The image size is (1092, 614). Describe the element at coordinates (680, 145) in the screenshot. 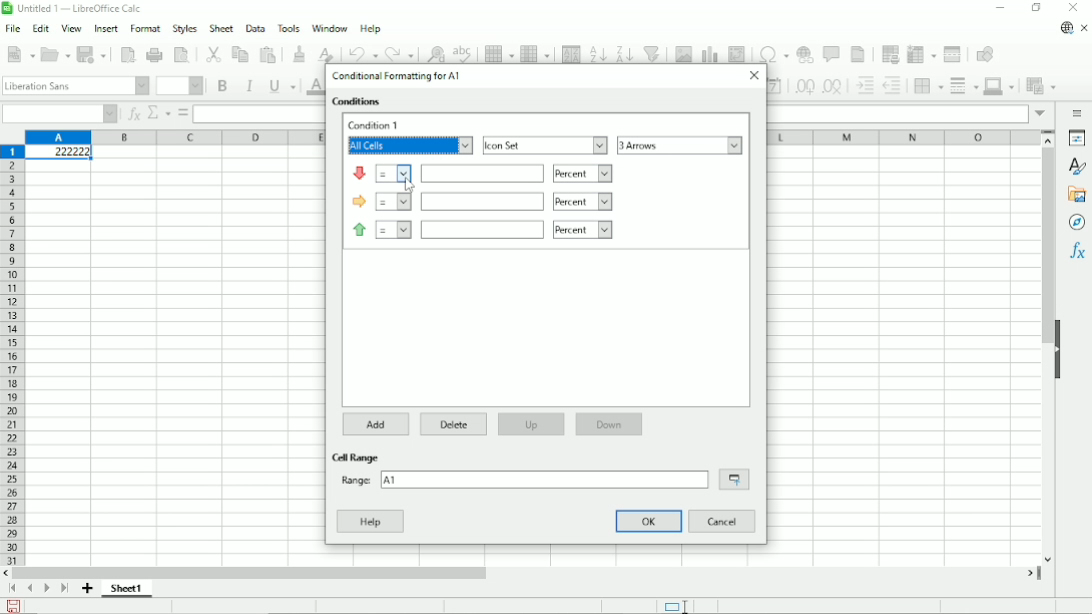

I see `3 arrows` at that location.